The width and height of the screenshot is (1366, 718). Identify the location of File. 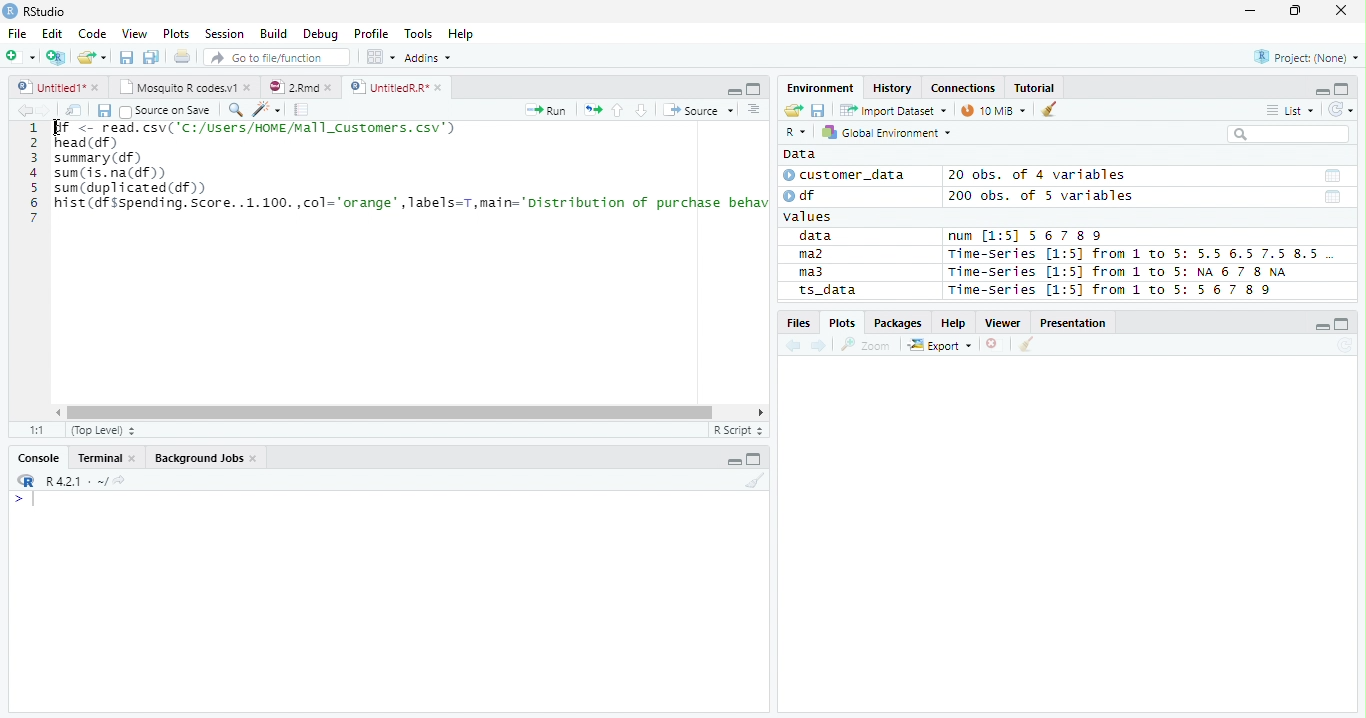
(16, 33).